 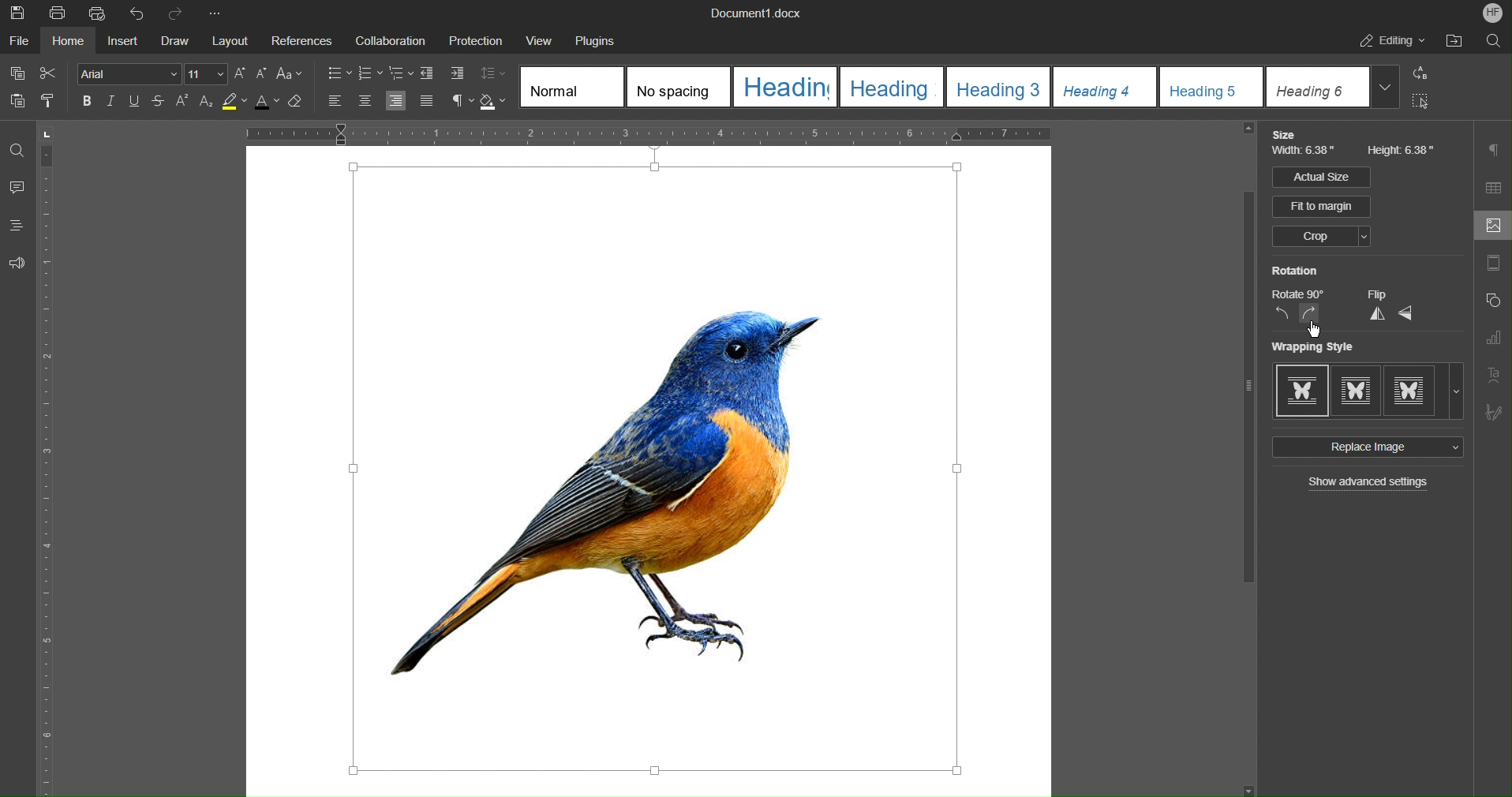 What do you see at coordinates (19, 13) in the screenshot?
I see `Save` at bounding box center [19, 13].